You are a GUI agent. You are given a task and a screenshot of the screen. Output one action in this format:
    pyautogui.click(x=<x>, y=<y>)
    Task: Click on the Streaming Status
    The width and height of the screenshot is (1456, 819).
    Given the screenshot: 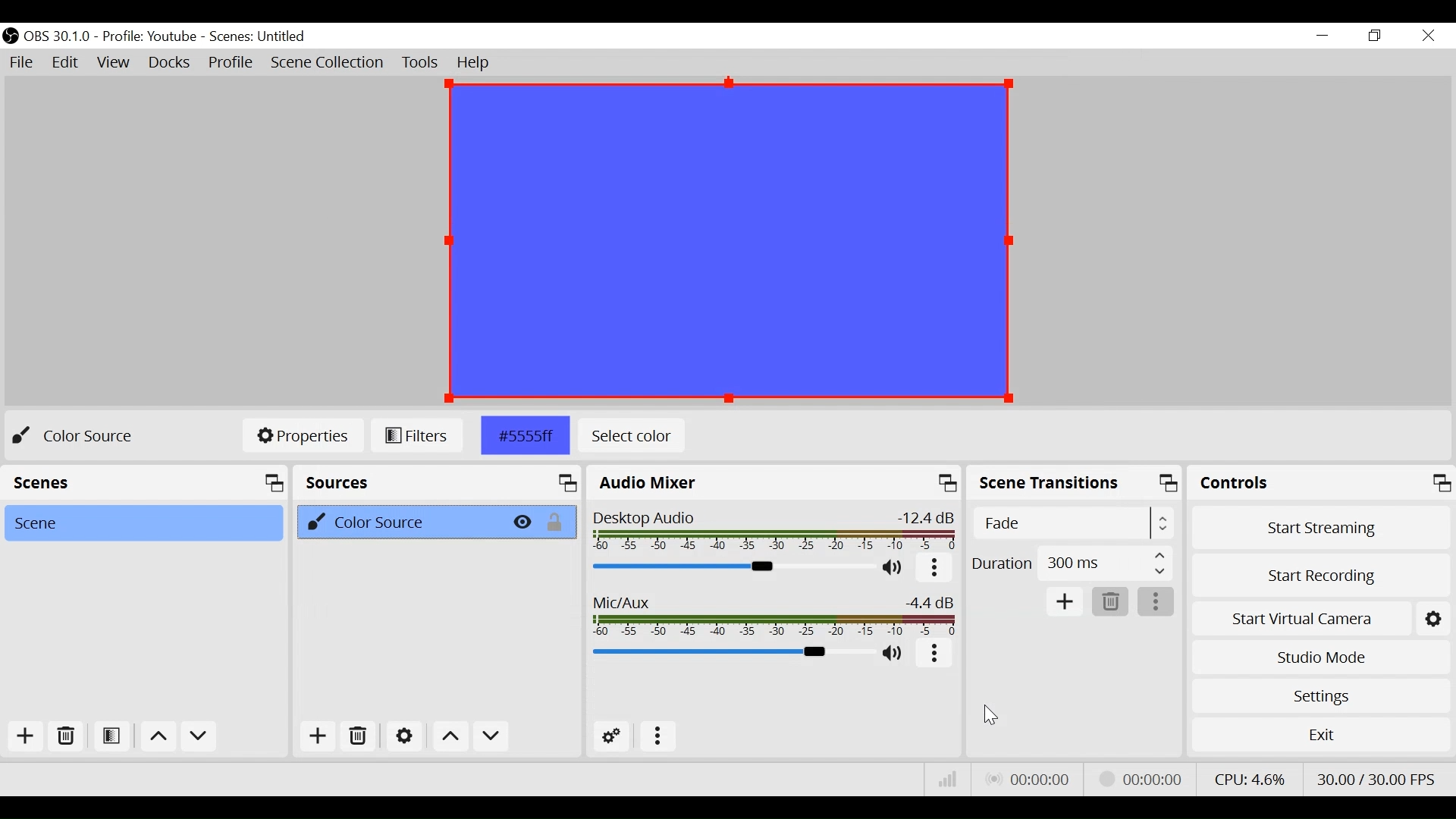 What is the action you would take?
    pyautogui.click(x=1141, y=779)
    